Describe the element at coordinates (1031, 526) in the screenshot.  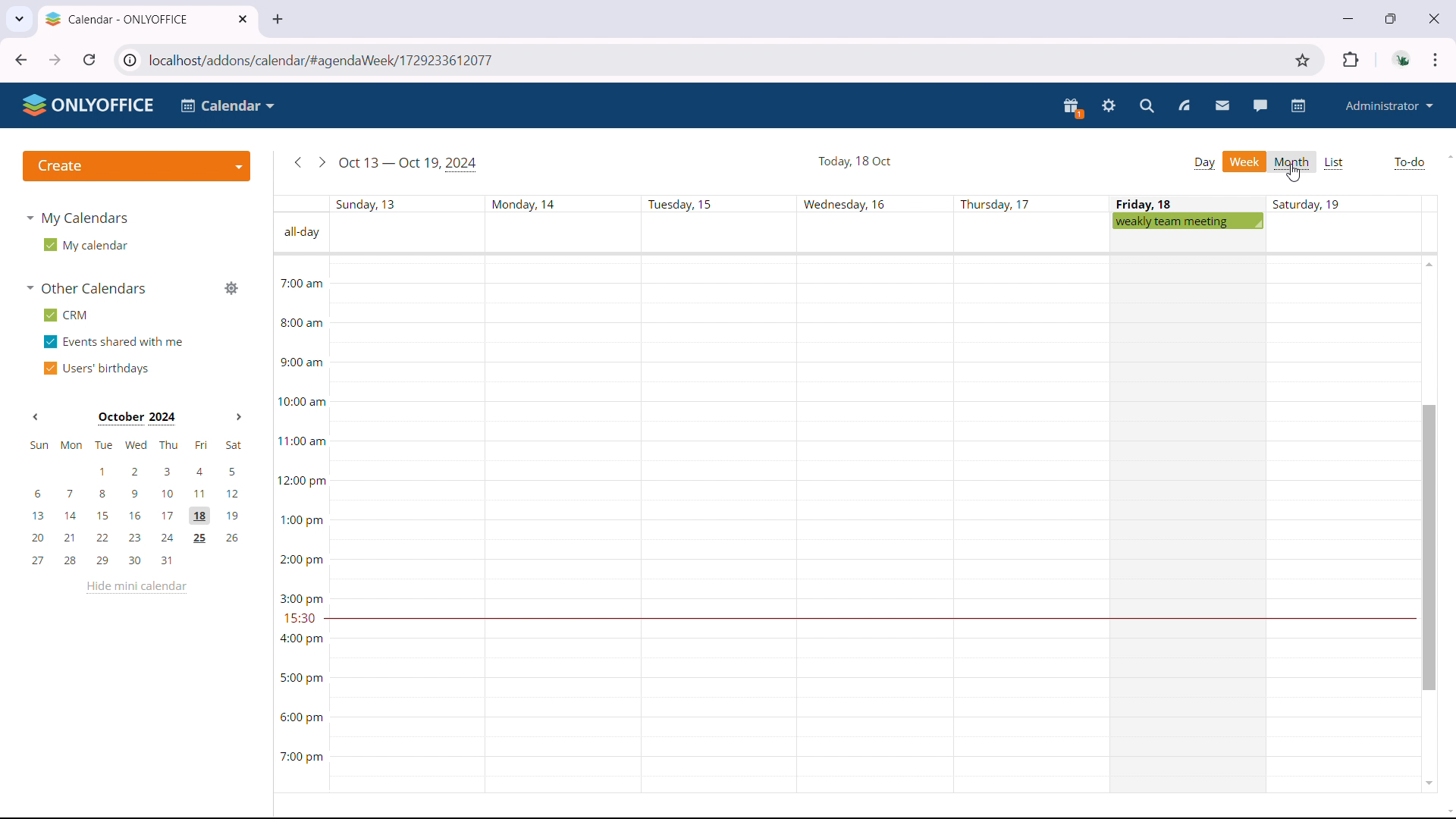
I see `Schedule for Thursday` at that location.